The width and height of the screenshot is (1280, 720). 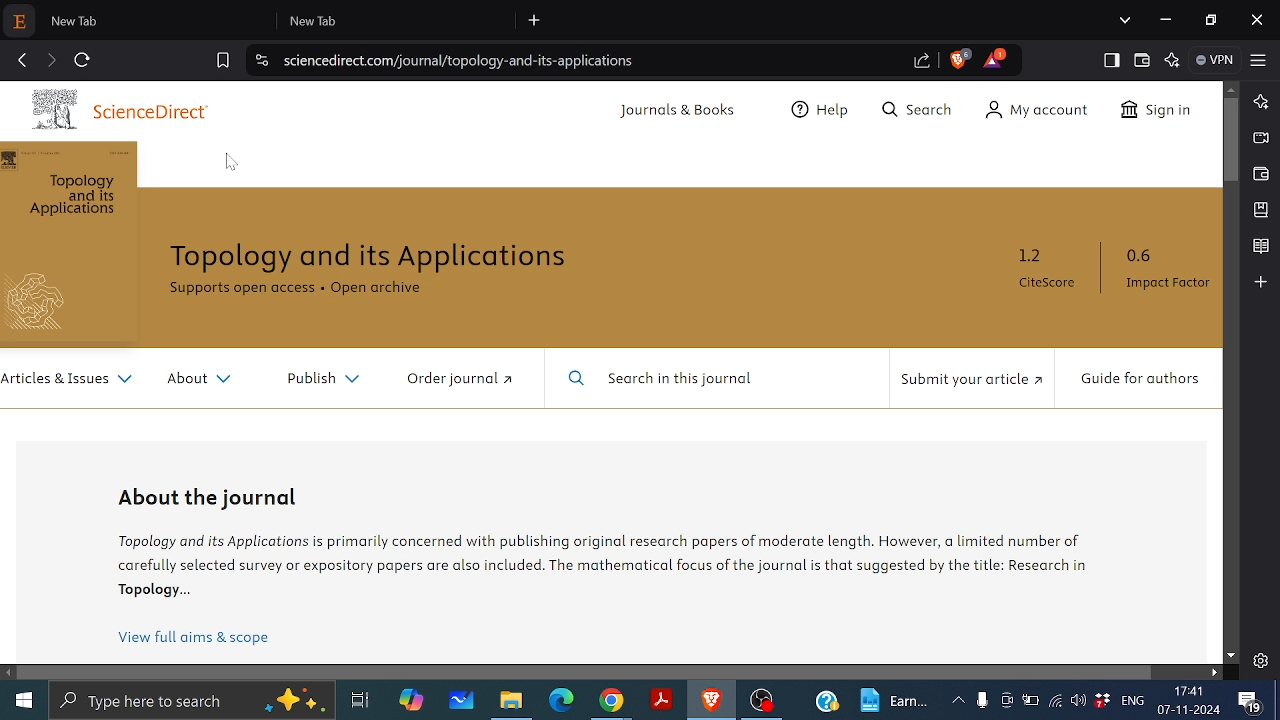 I want to click on View full aims & scope, so click(x=196, y=638).